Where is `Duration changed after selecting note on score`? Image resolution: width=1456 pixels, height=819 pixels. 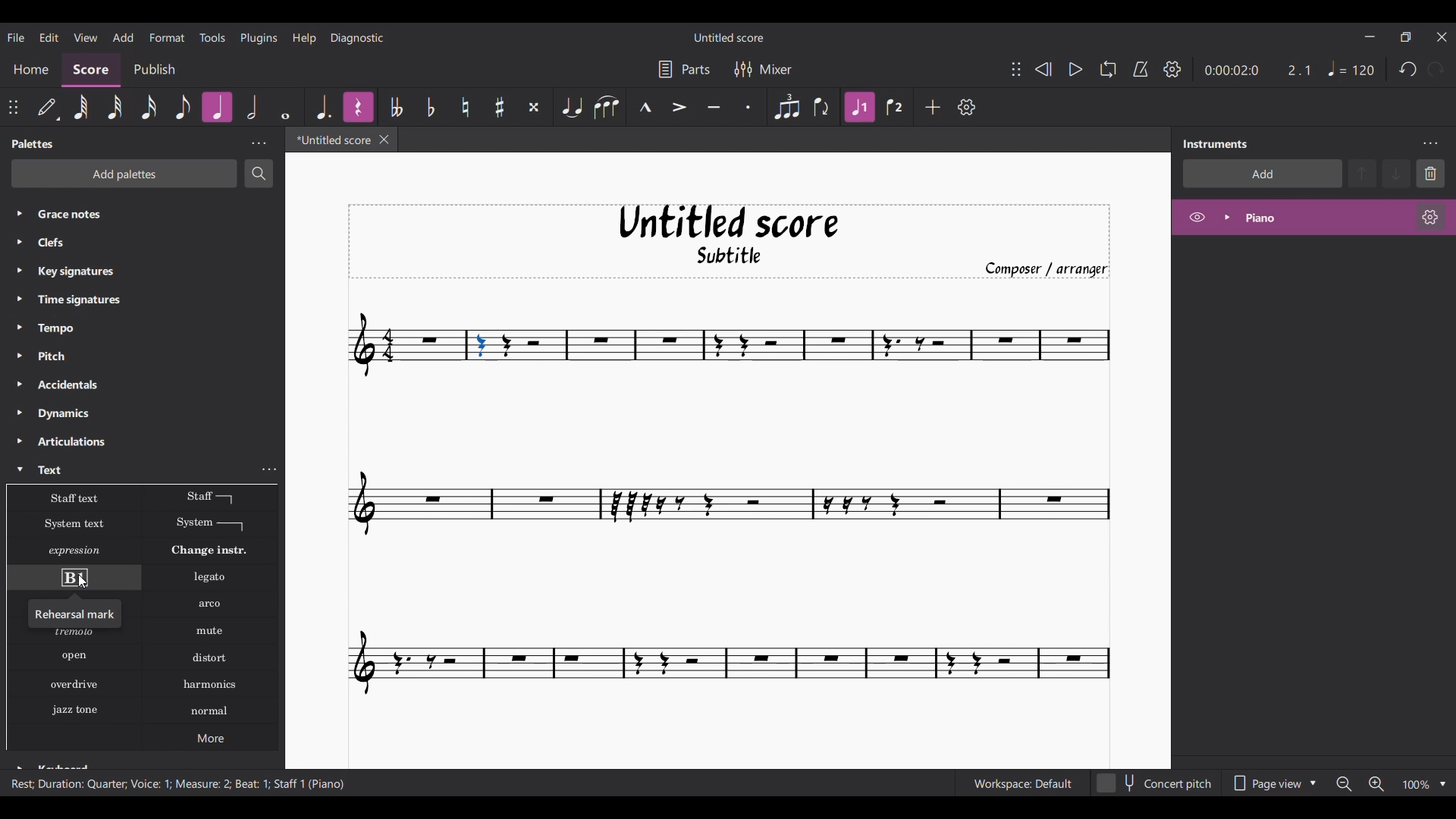
Duration changed after selecting note on score is located at coordinates (1258, 70).